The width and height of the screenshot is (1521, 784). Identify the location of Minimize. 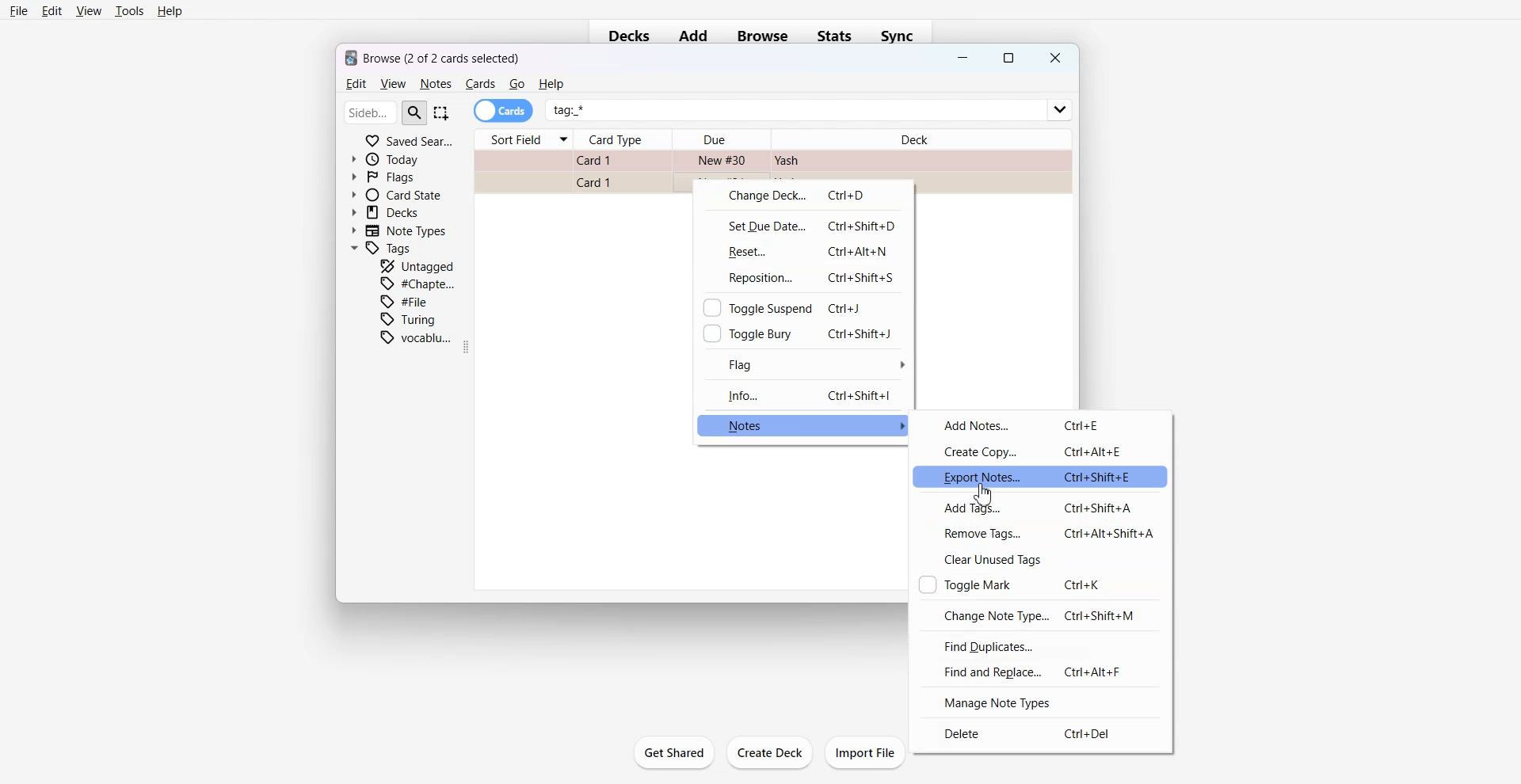
(963, 59).